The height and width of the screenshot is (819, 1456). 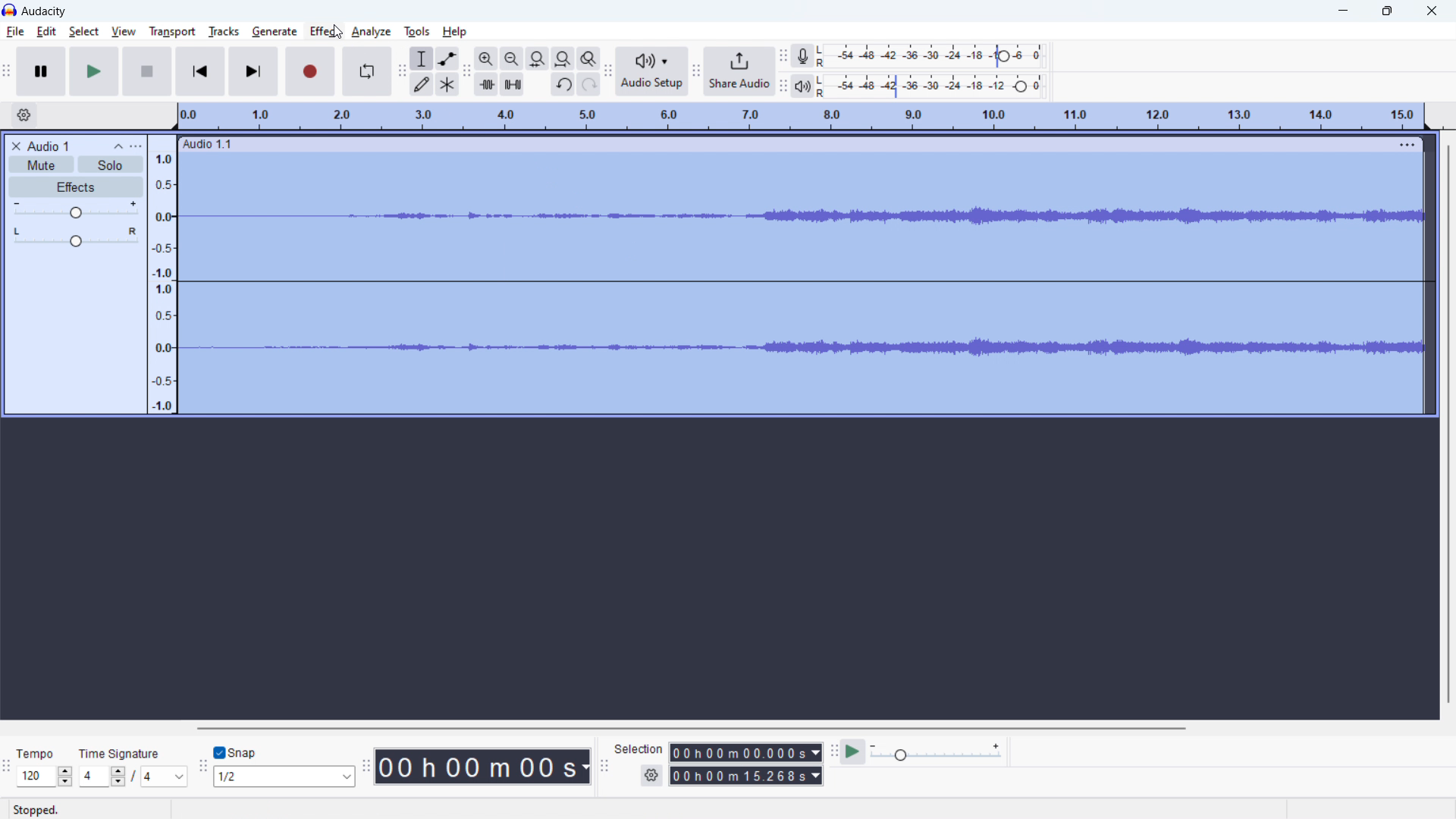 What do you see at coordinates (651, 776) in the screenshot?
I see `settings` at bounding box center [651, 776].